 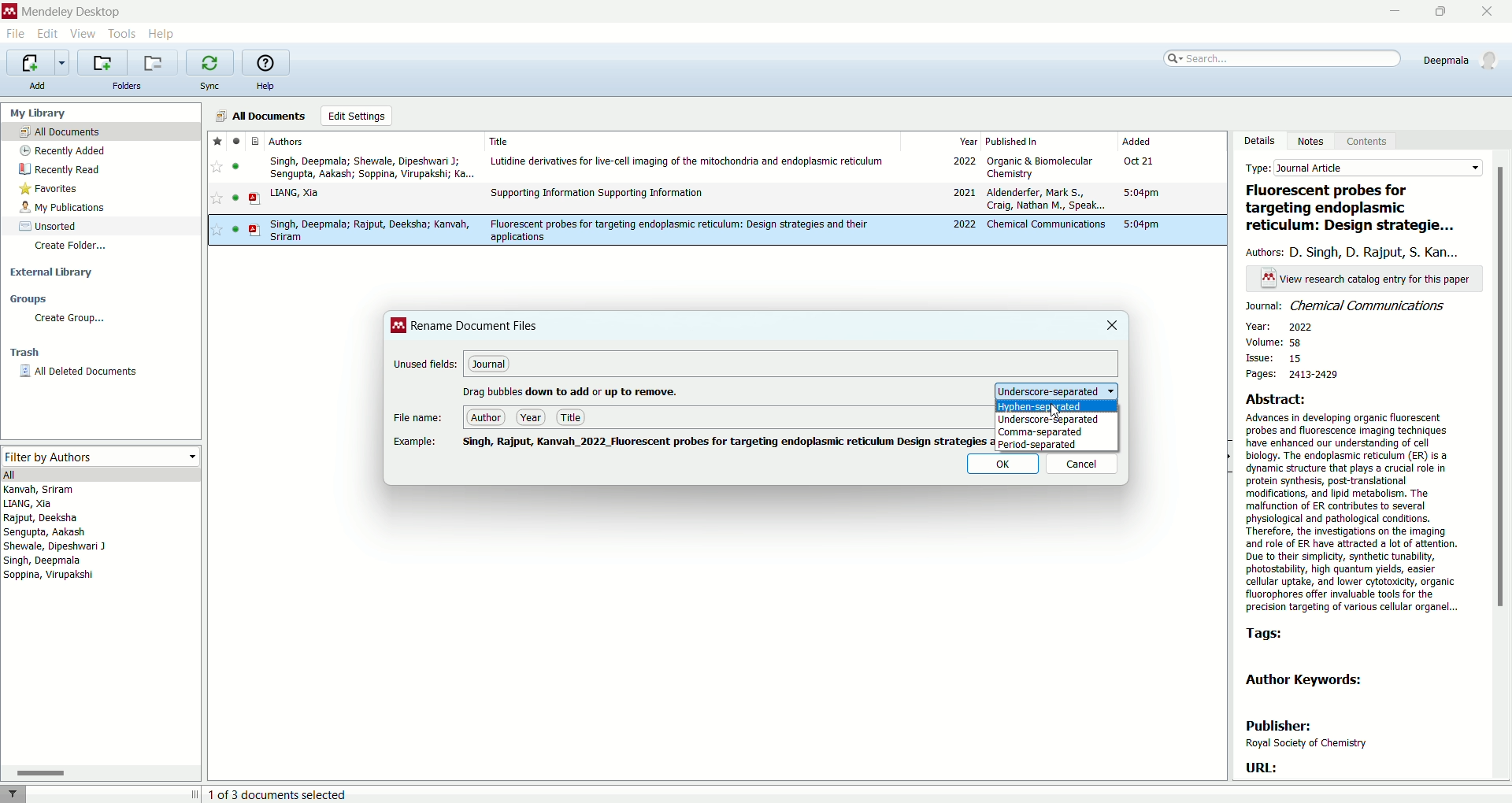 I want to click on logo, so click(x=9, y=10).